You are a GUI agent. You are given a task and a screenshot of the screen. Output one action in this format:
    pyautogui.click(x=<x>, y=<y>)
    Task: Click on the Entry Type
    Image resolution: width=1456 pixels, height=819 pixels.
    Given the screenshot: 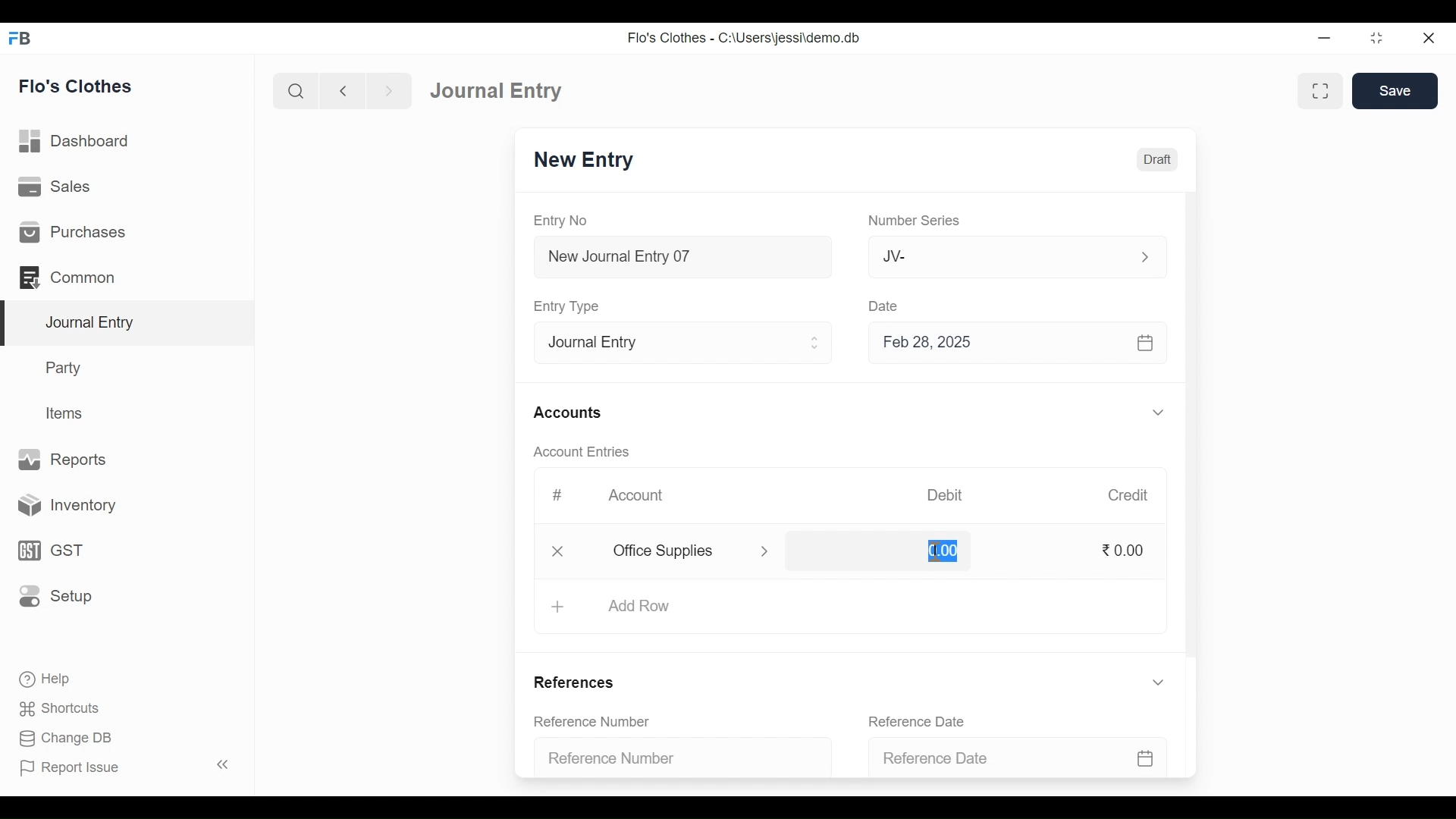 What is the action you would take?
    pyautogui.click(x=570, y=306)
    